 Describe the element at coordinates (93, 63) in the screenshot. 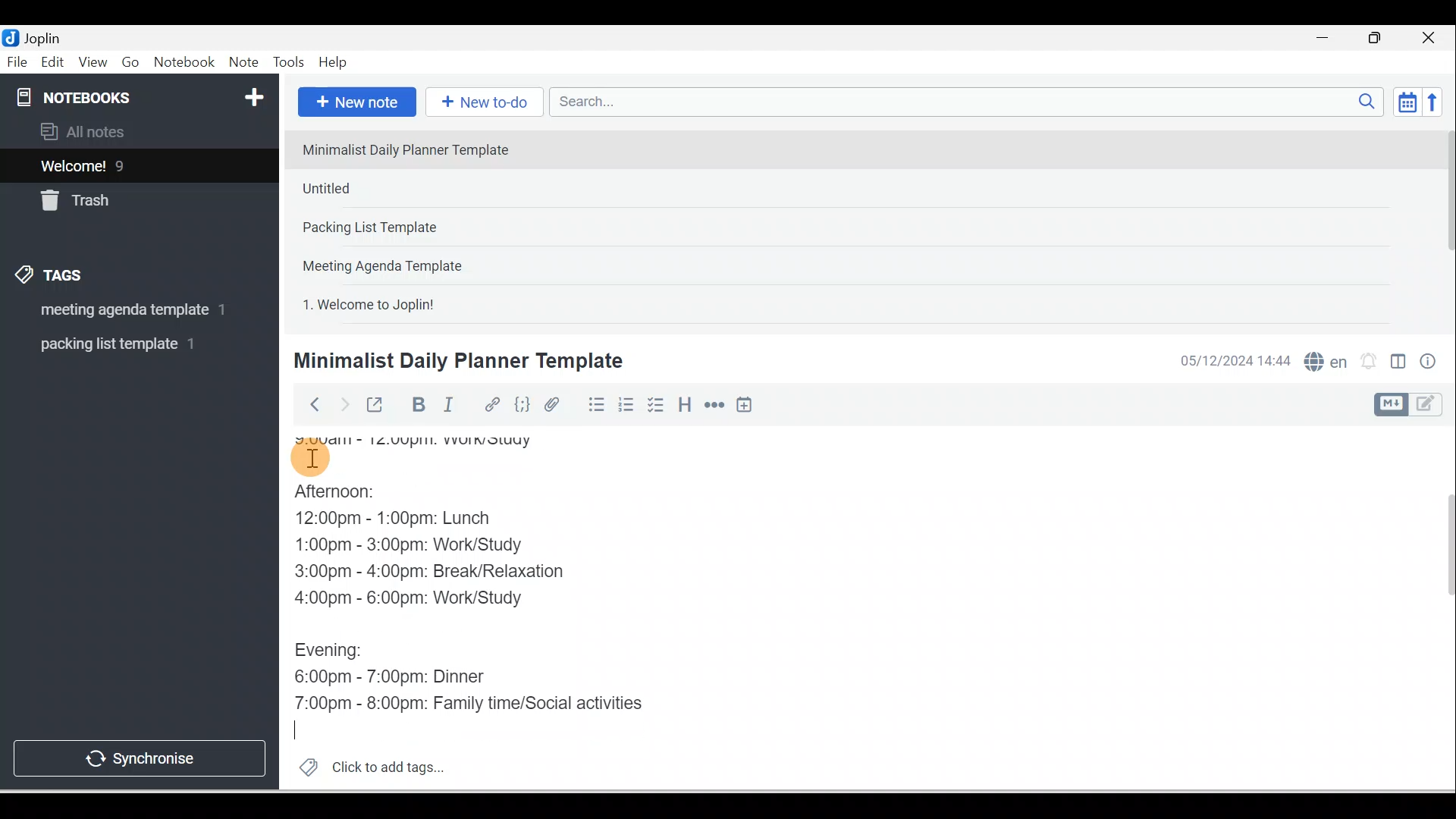

I see `View` at that location.